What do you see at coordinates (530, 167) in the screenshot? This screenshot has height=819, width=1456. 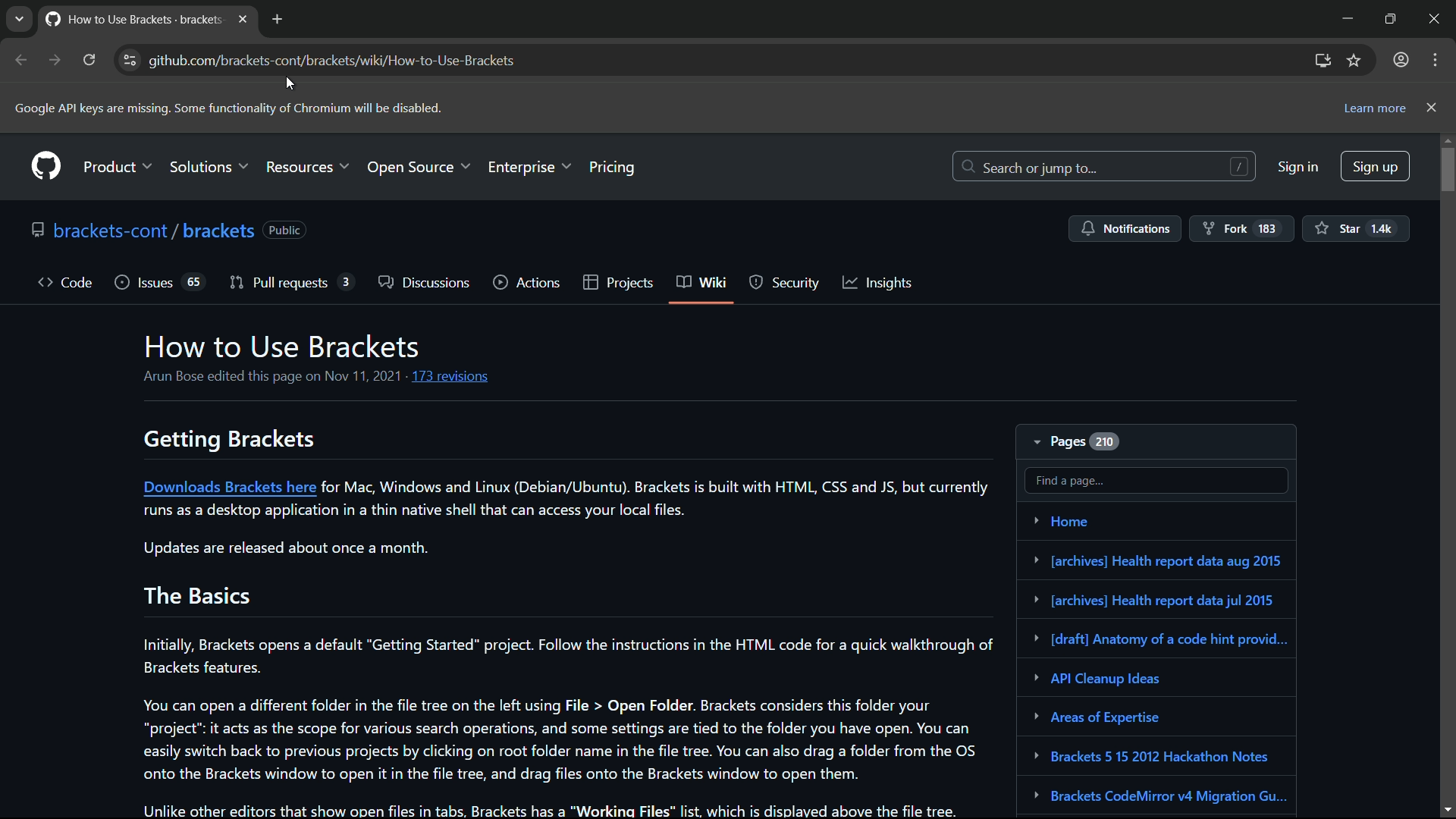 I see `enterprise` at bounding box center [530, 167].